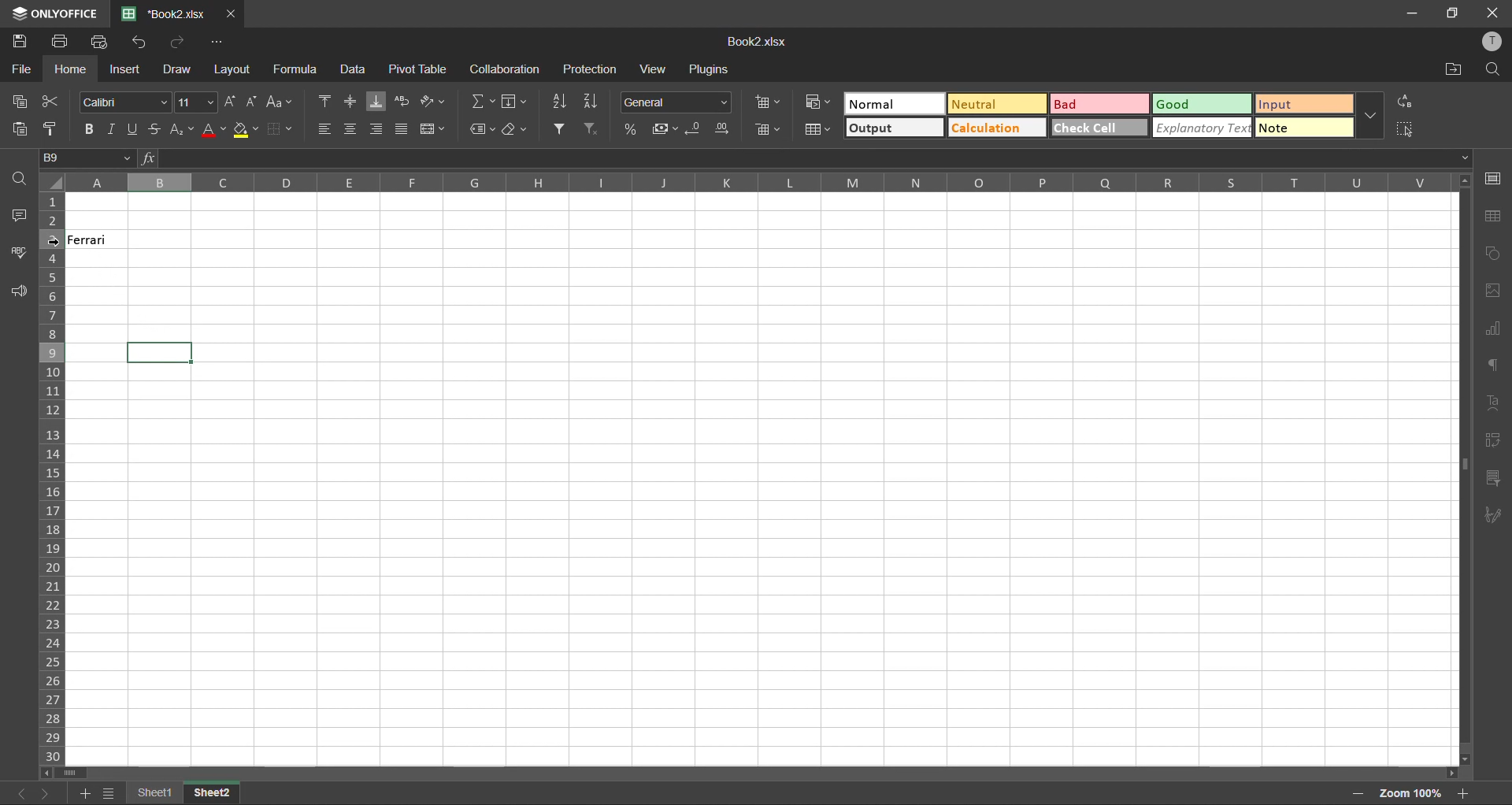 Image resolution: width=1512 pixels, height=805 pixels. I want to click on maximize, so click(1452, 14).